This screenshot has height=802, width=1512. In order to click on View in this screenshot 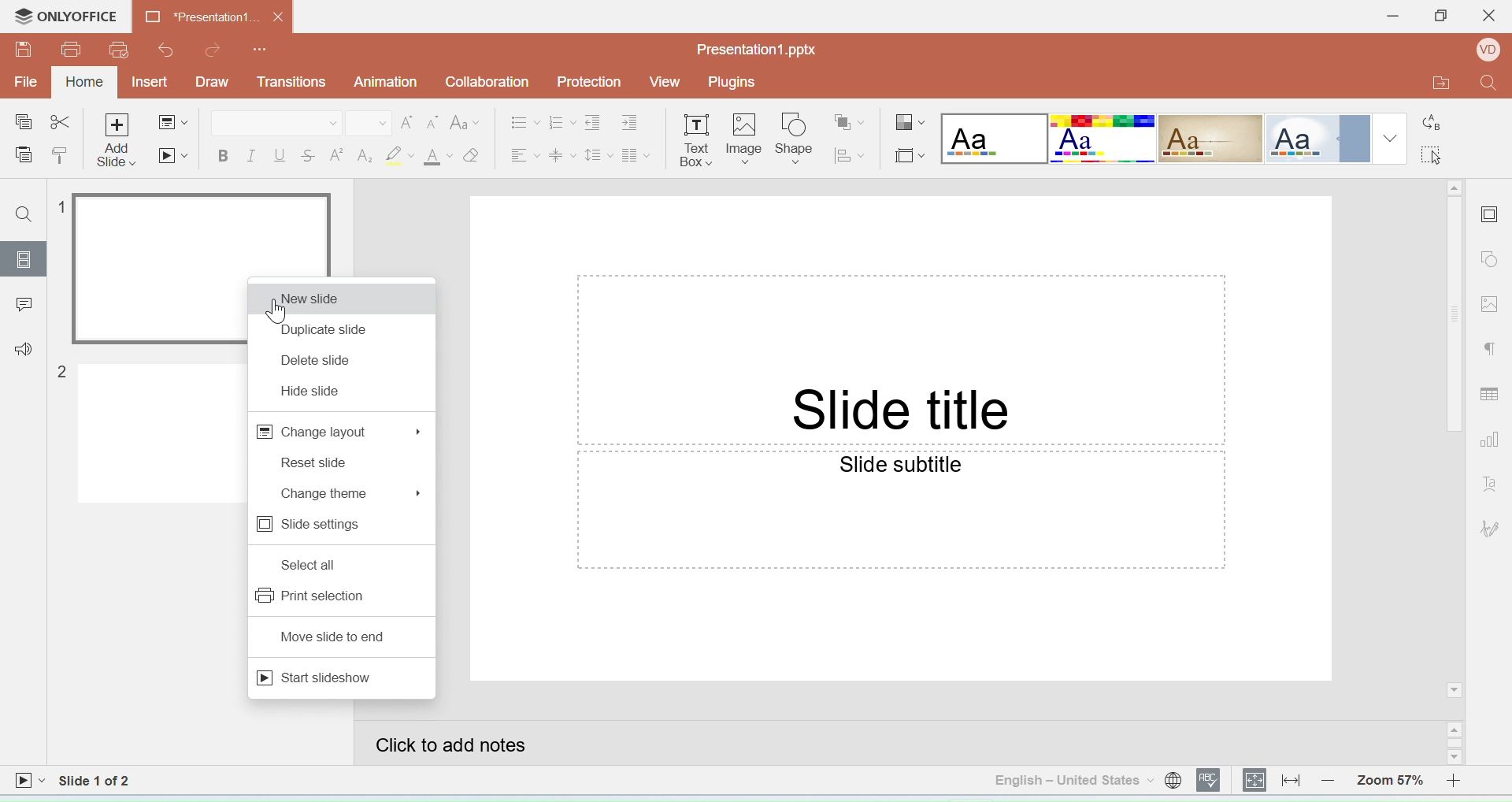, I will do `click(665, 82)`.